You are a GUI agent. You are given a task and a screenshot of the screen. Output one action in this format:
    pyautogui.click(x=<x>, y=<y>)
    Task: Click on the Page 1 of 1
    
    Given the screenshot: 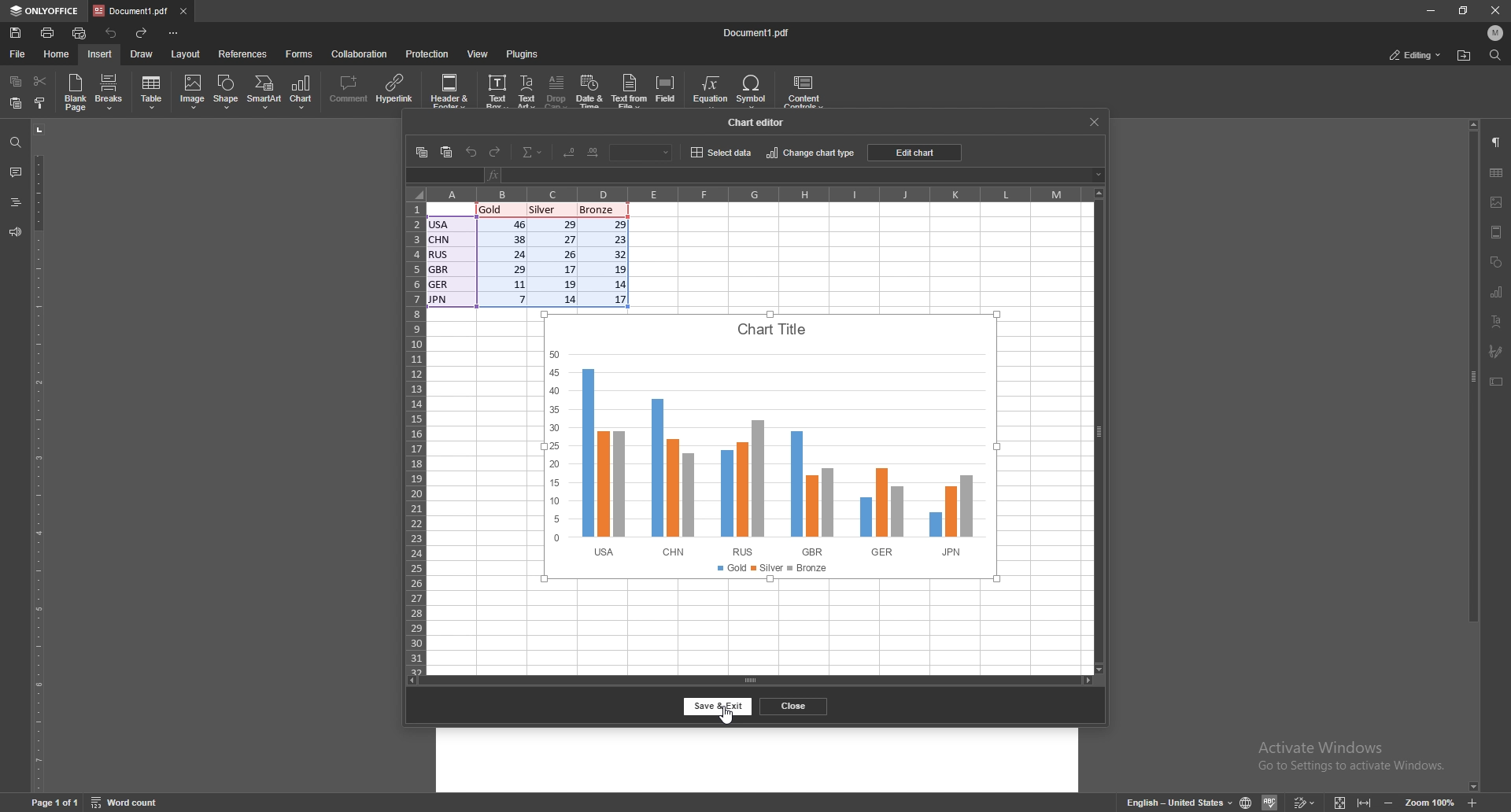 What is the action you would take?
    pyautogui.click(x=57, y=801)
    